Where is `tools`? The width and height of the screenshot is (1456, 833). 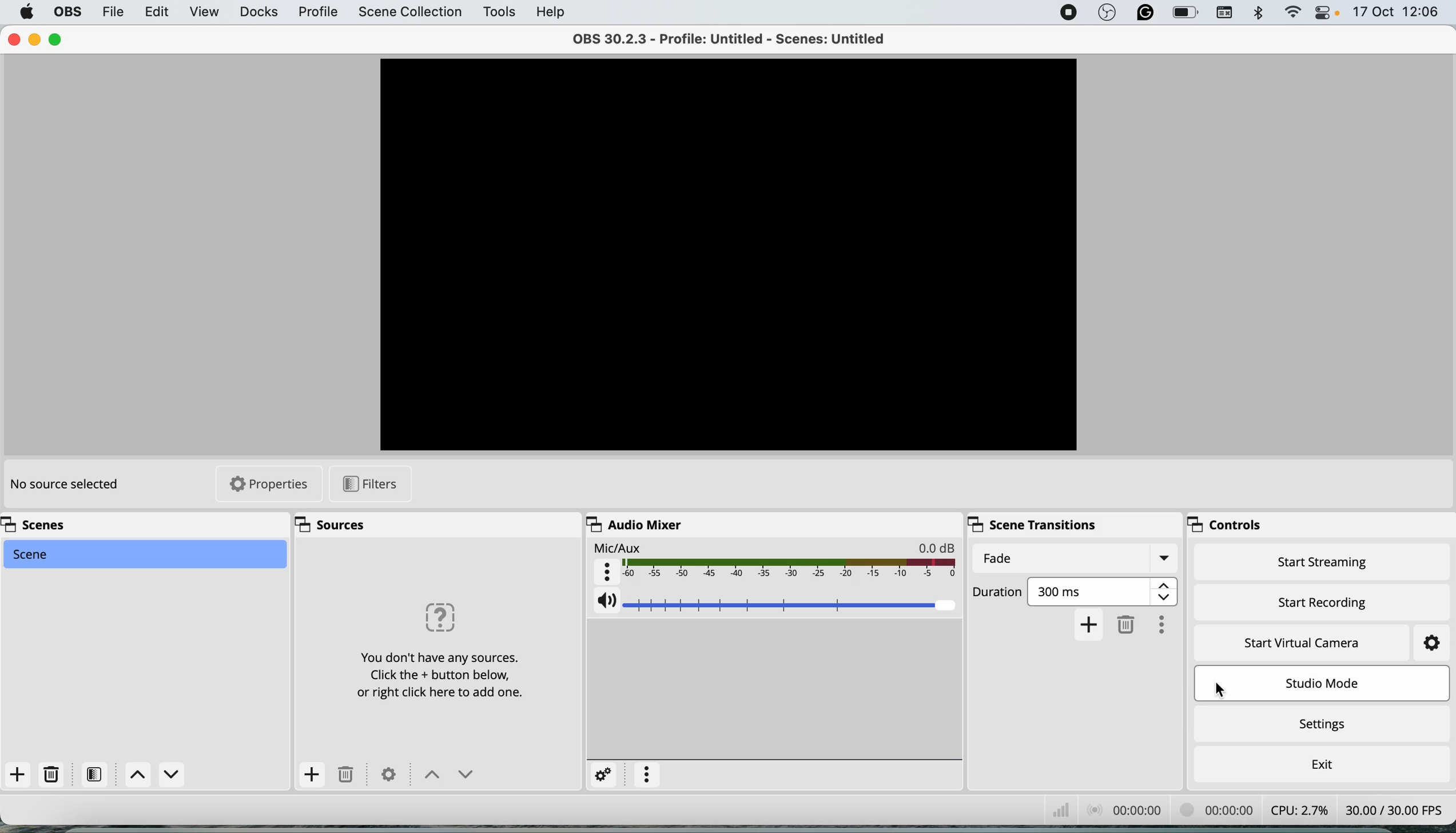
tools is located at coordinates (500, 11).